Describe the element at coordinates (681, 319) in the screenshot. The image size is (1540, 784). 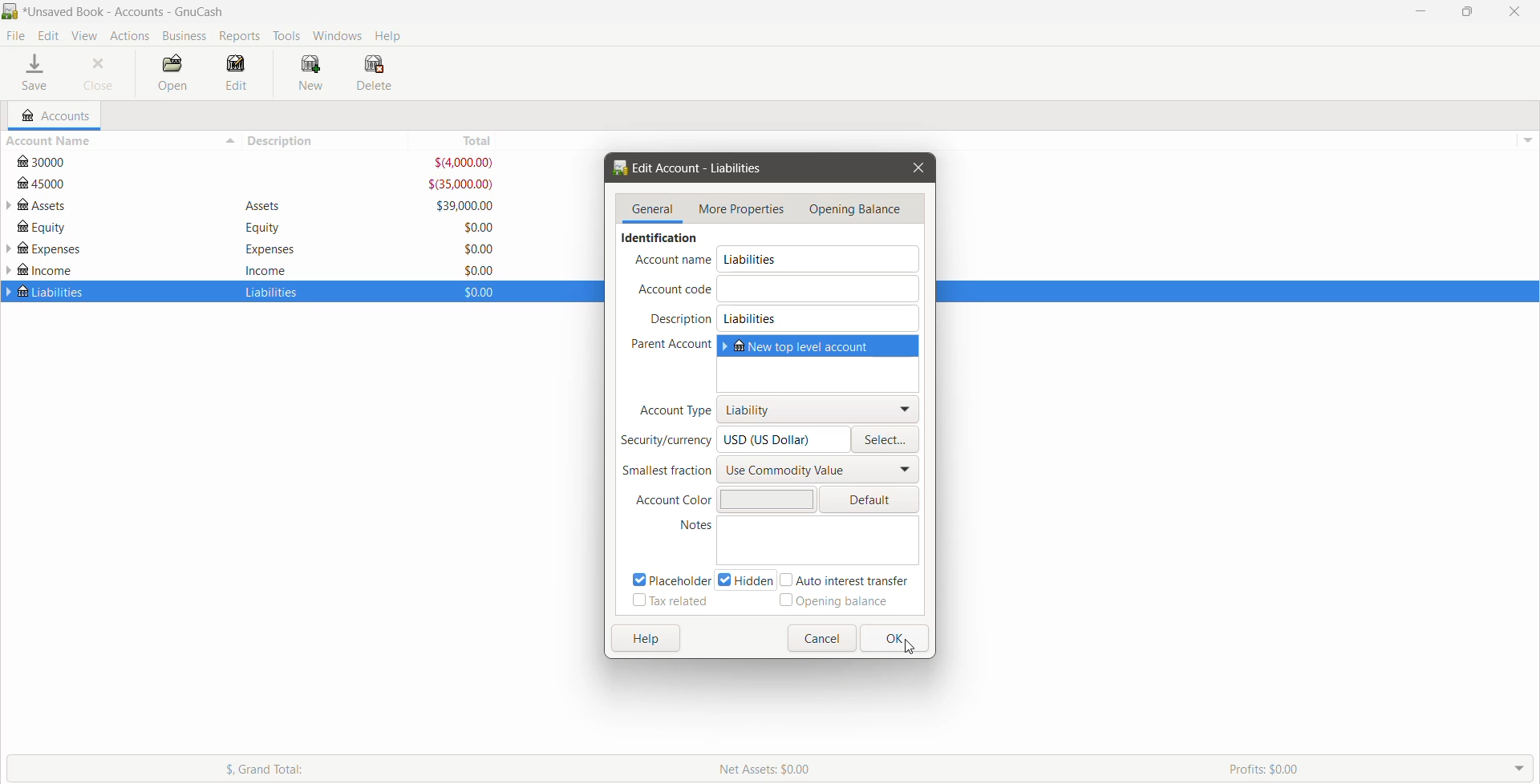
I see `Description` at that location.